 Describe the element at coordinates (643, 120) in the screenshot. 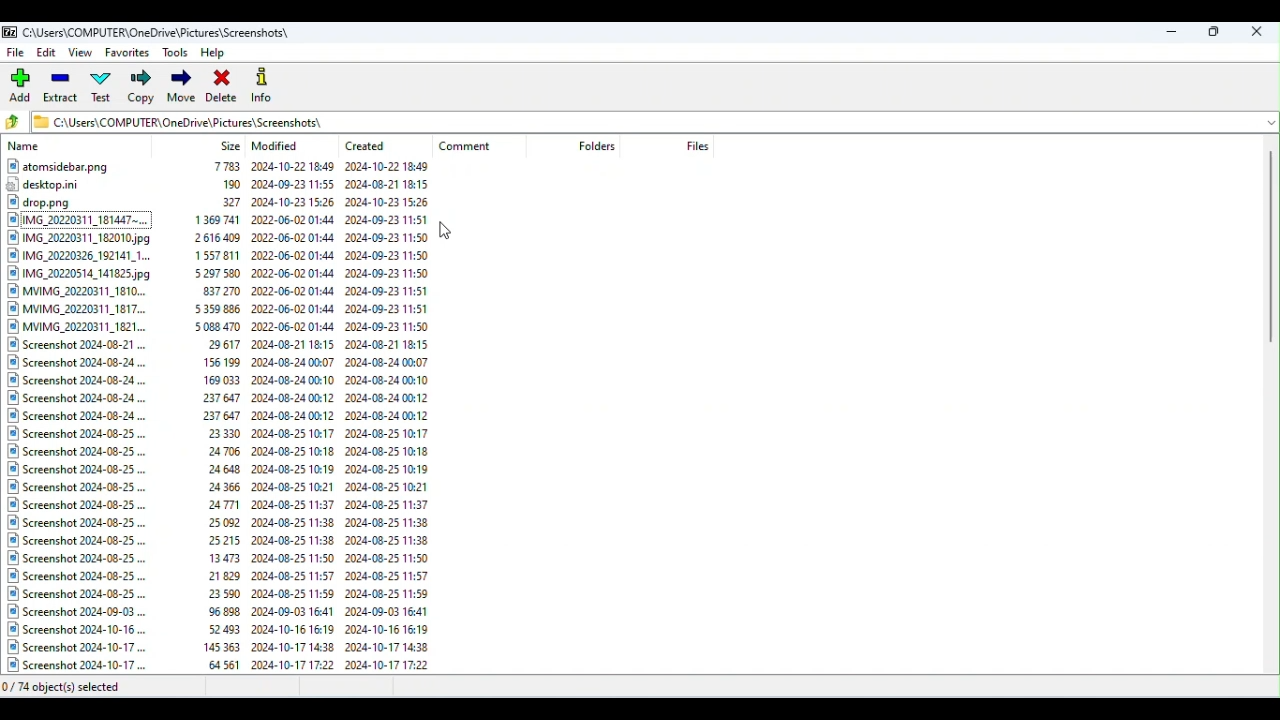

I see `File address bar` at that location.